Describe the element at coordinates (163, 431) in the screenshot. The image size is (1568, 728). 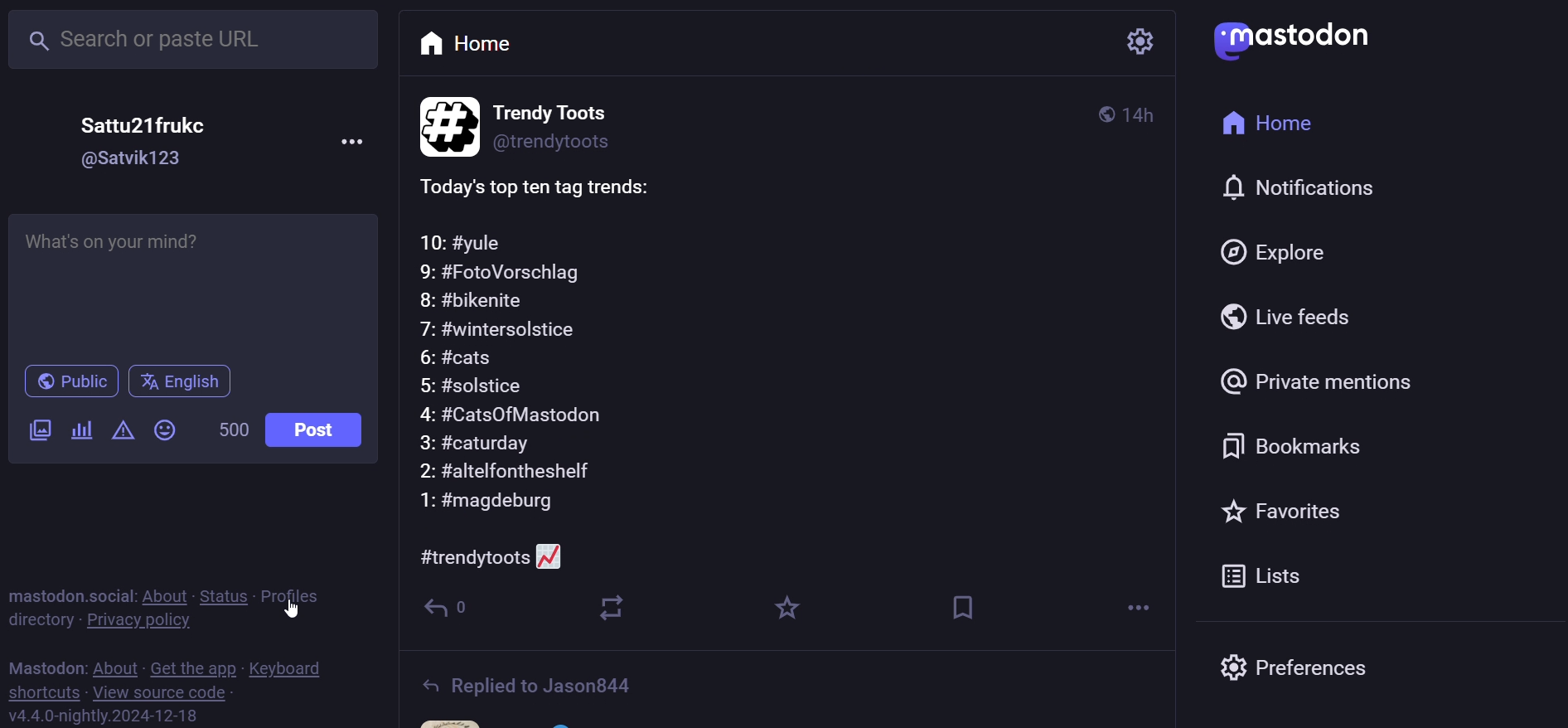
I see `emoji` at that location.